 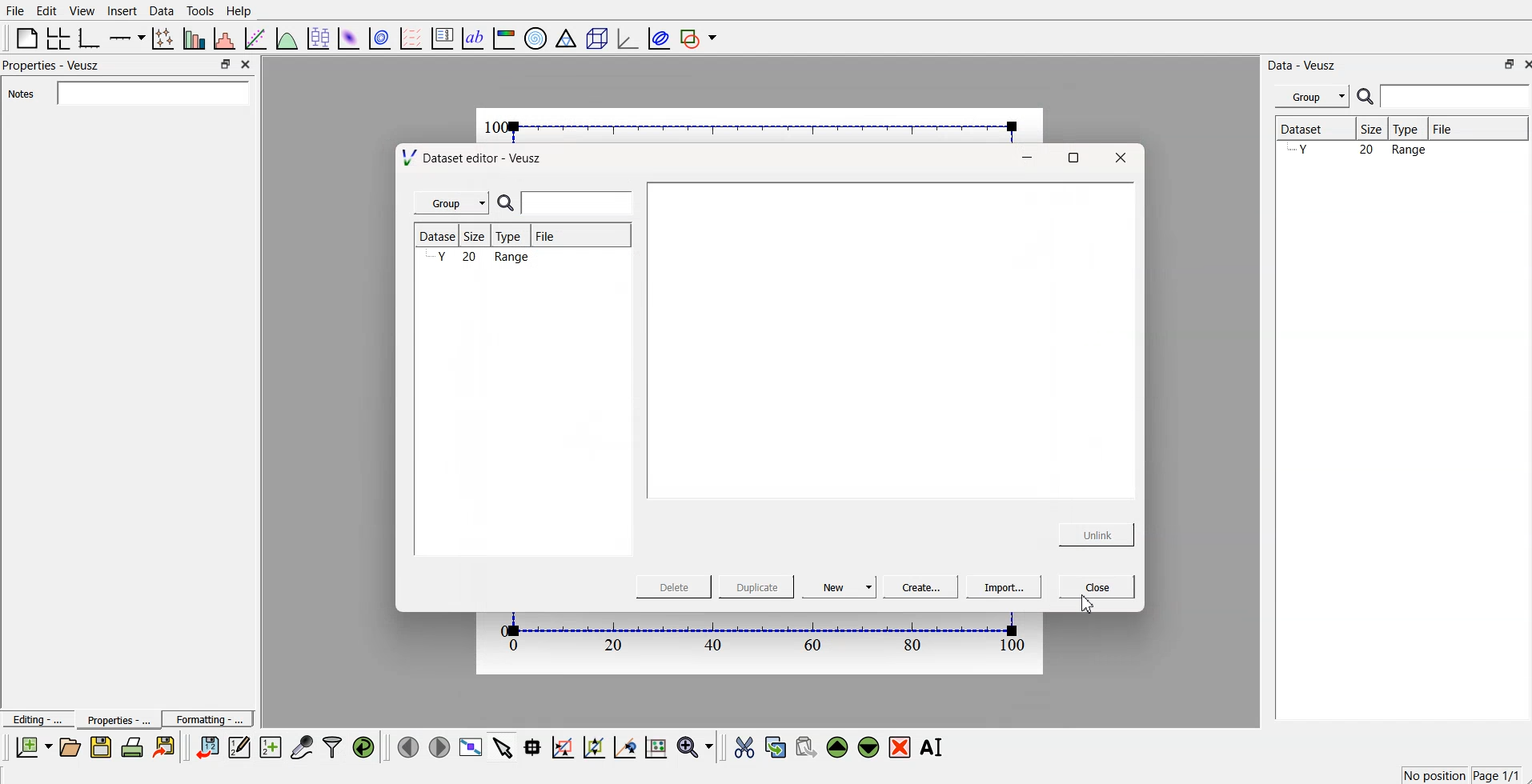 I want to click on Cut, so click(x=744, y=746).